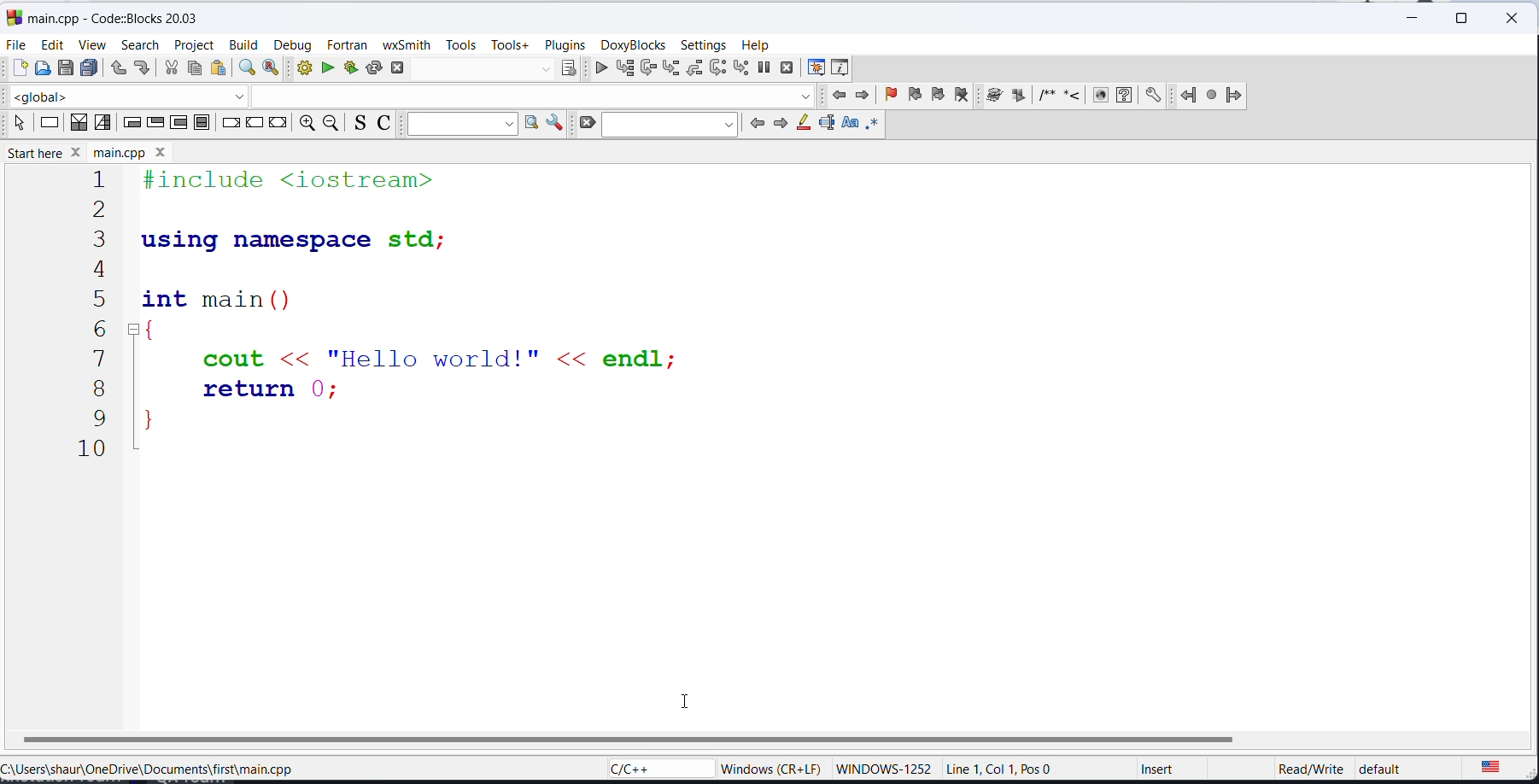  What do you see at coordinates (963, 97) in the screenshot?
I see `remove bookmark` at bounding box center [963, 97].